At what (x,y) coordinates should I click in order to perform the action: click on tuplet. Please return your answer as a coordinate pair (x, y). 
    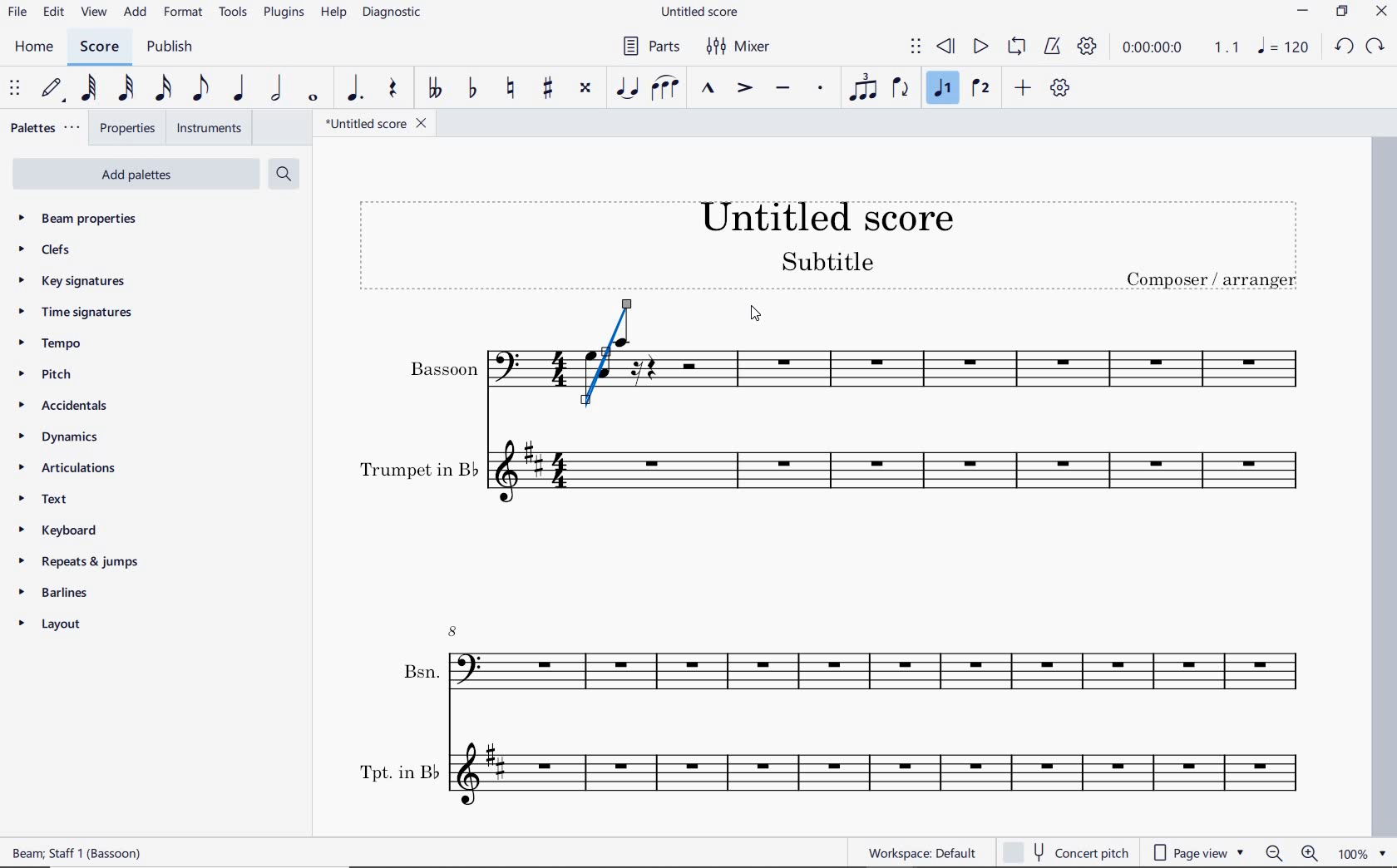
    Looking at the image, I should click on (864, 86).